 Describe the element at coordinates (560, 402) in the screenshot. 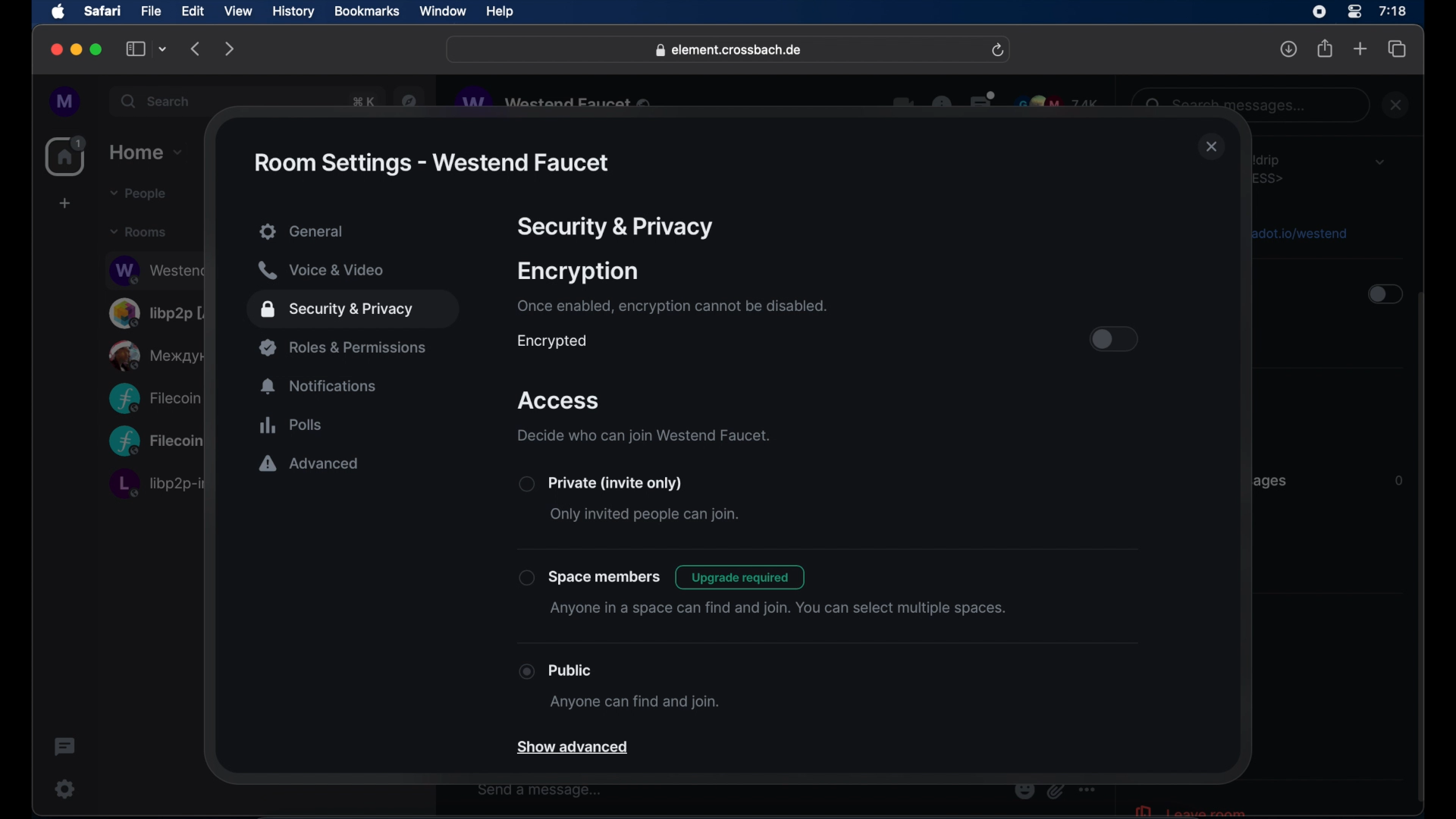

I see `access` at that location.